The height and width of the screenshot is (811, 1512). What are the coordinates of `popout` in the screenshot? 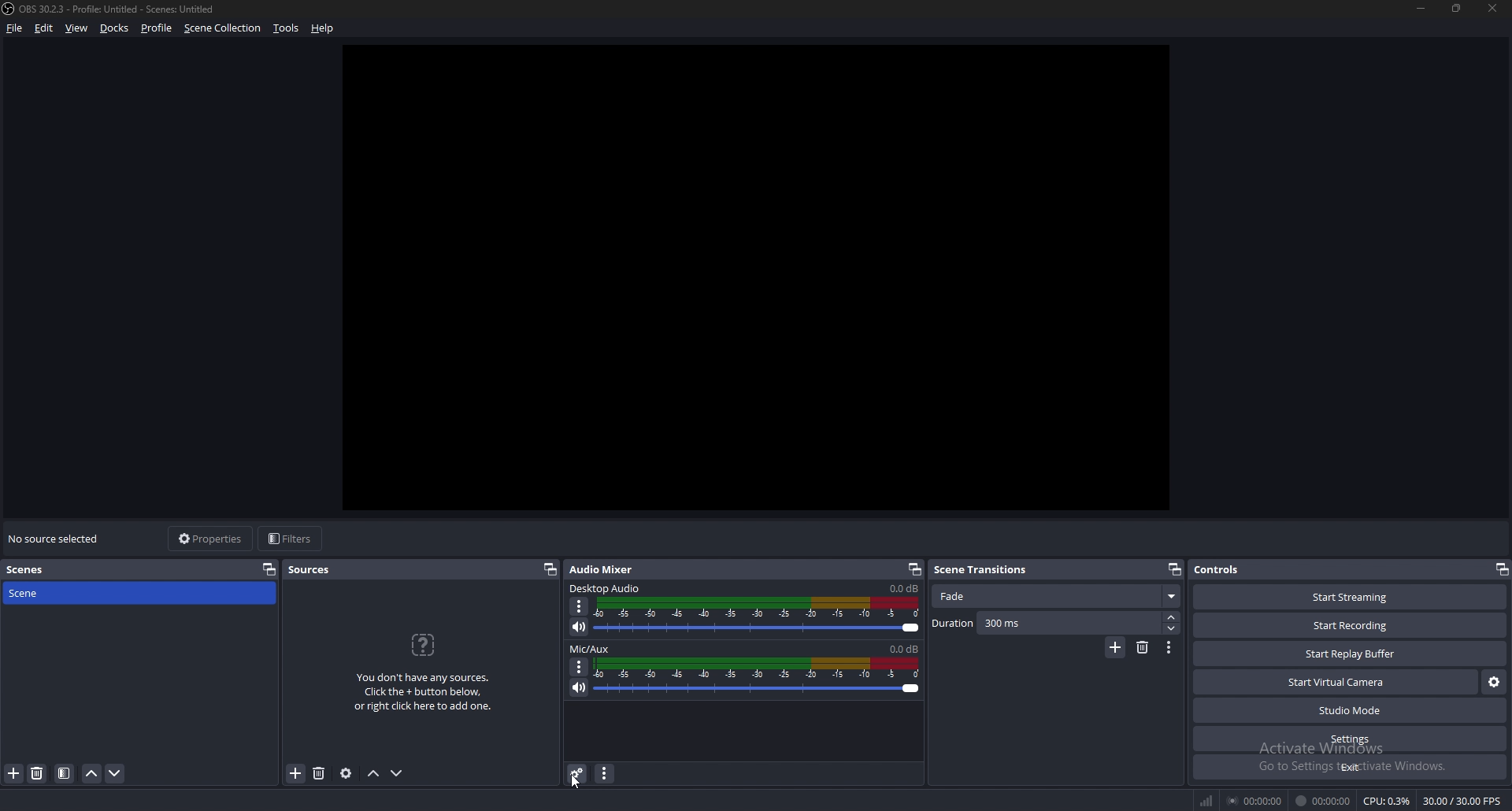 It's located at (915, 569).